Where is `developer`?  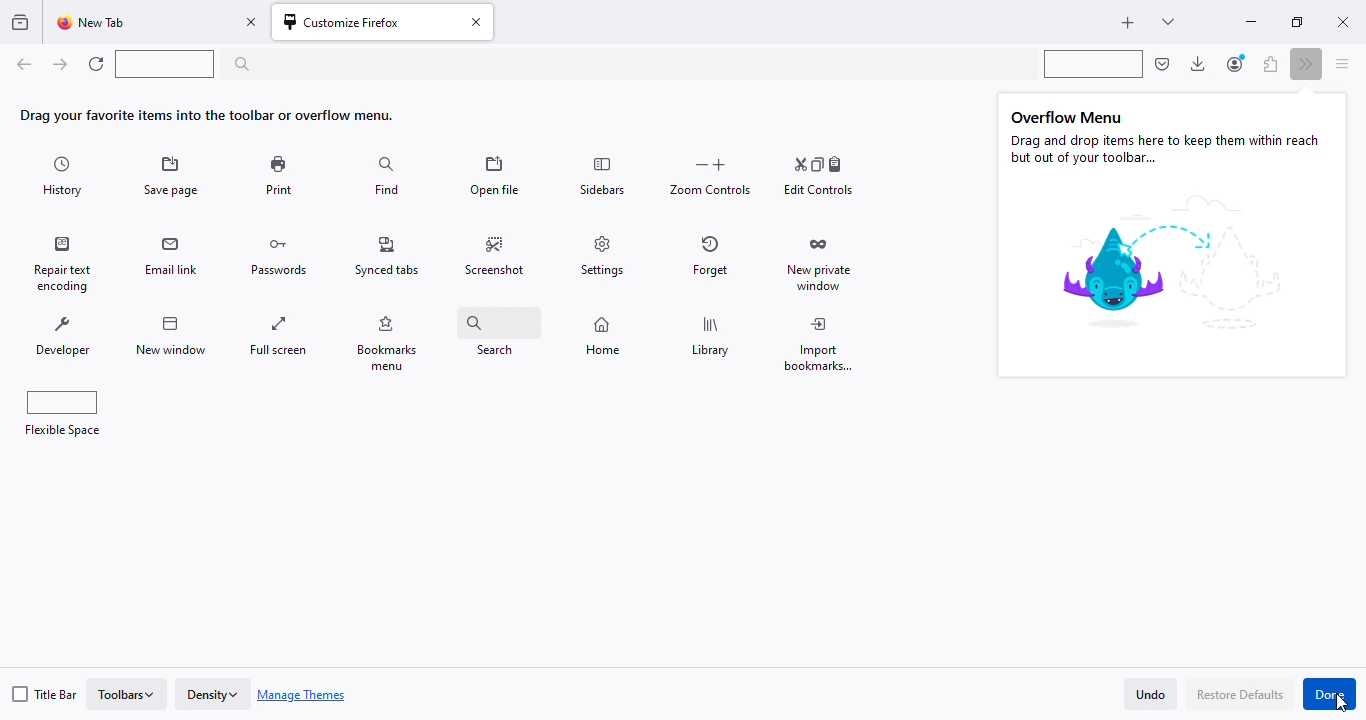 developer is located at coordinates (62, 338).